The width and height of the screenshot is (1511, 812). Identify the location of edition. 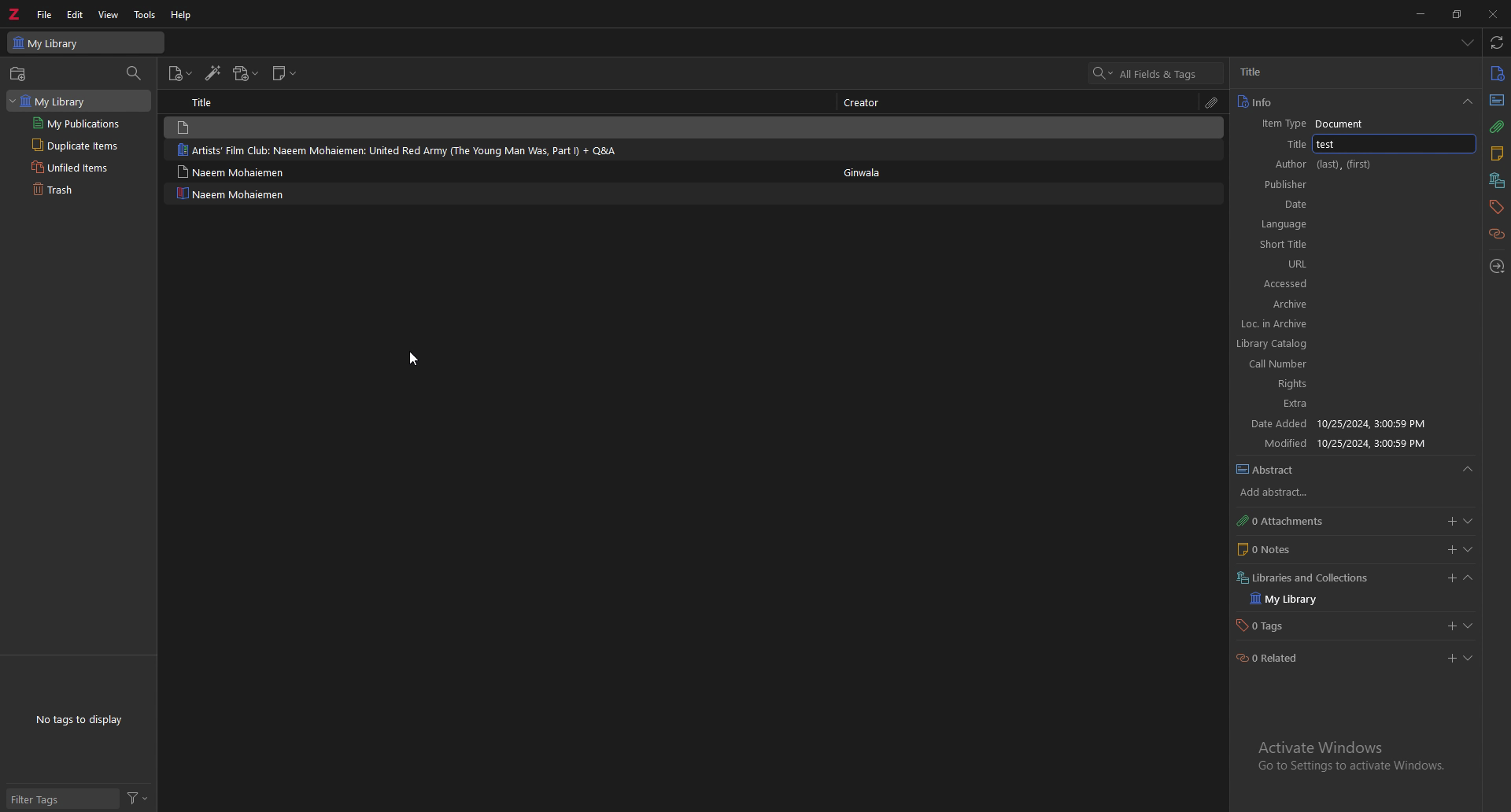
(1279, 285).